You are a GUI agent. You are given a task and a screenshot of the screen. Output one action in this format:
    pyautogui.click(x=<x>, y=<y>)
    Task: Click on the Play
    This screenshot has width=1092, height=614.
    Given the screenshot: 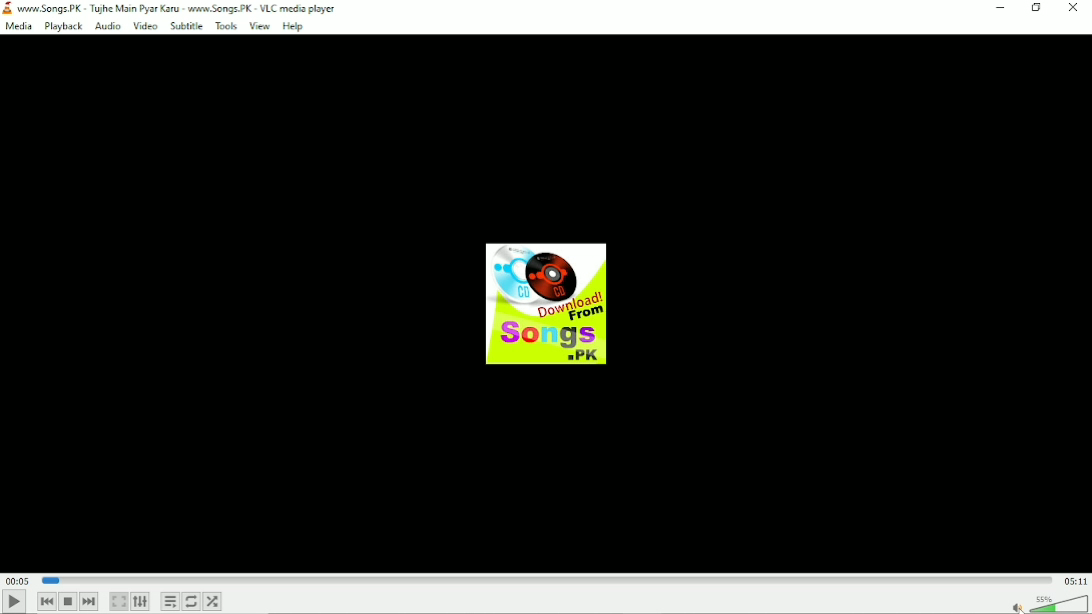 What is the action you would take?
    pyautogui.click(x=17, y=602)
    